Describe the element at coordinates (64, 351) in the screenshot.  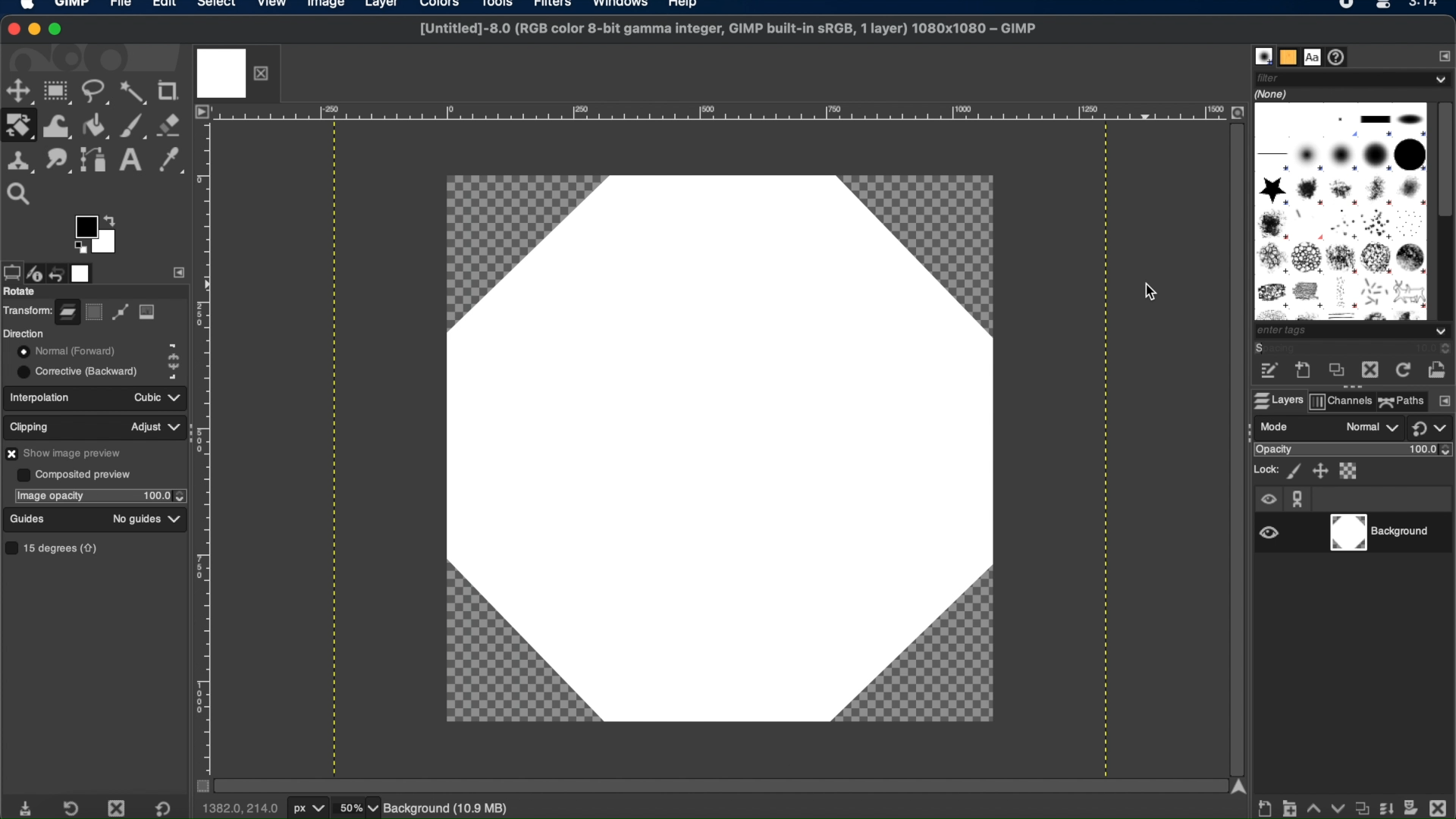
I see `normal forward toggle button` at that location.